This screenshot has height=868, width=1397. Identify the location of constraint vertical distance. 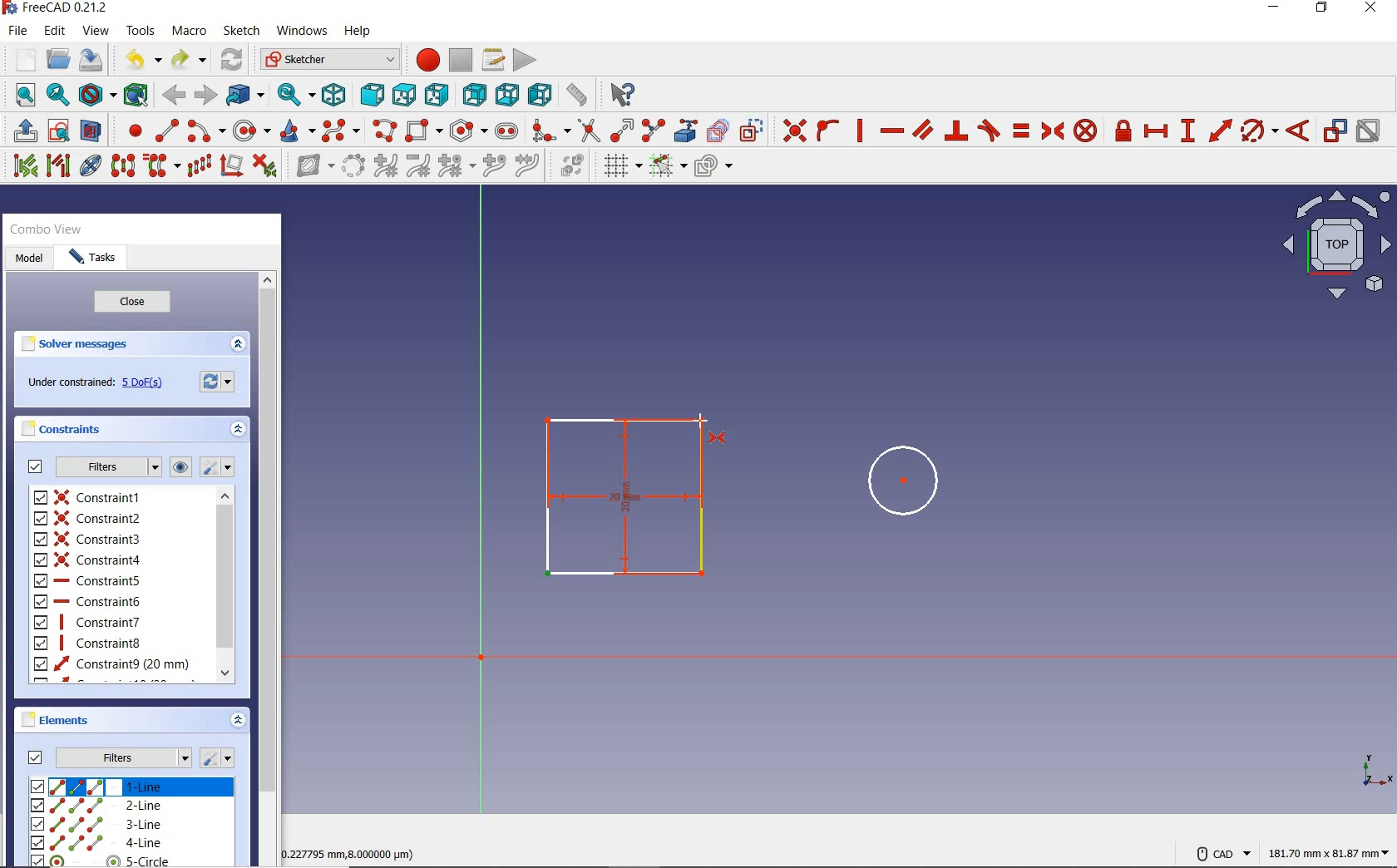
(1188, 131).